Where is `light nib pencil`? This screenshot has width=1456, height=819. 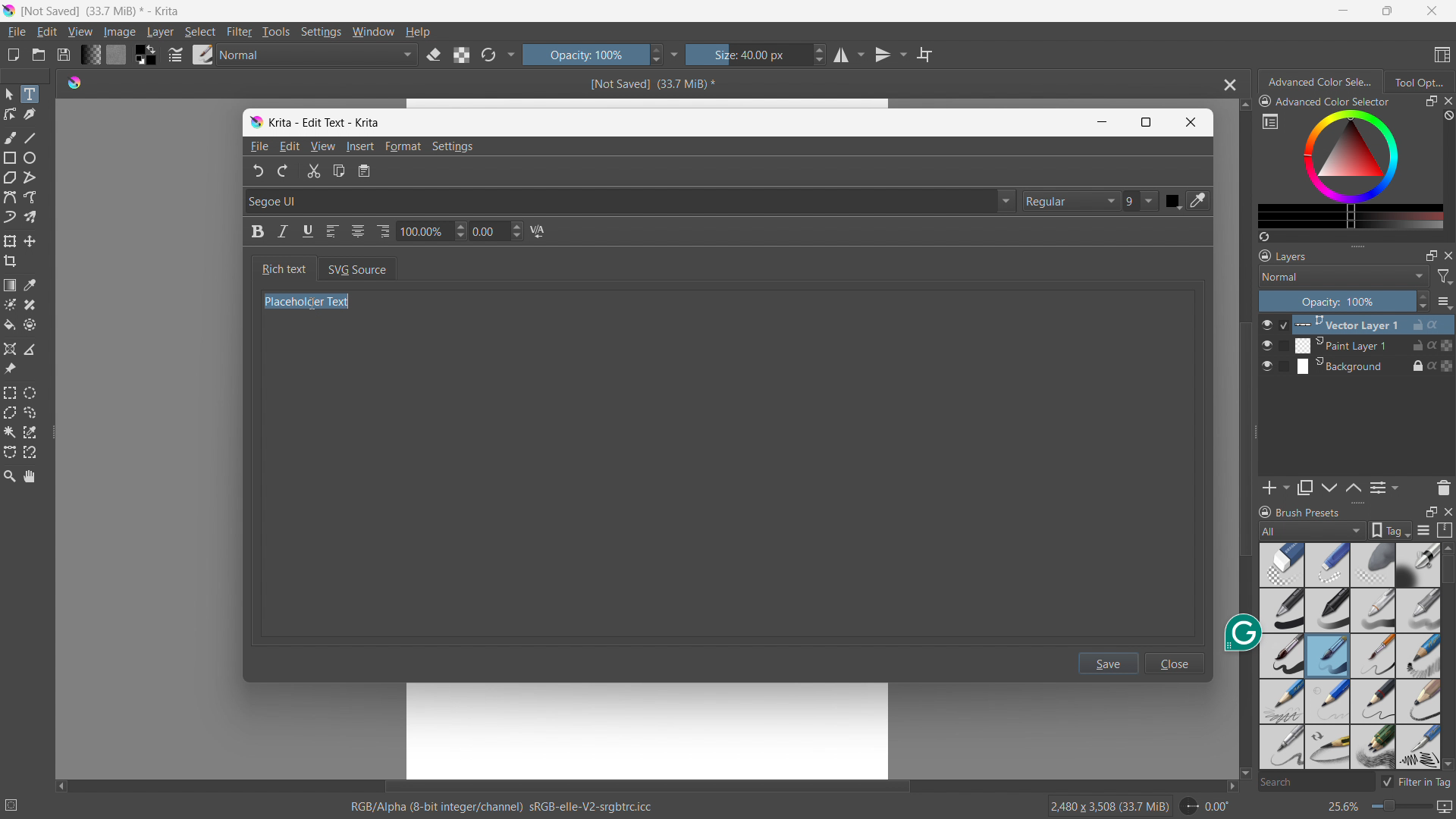 light nib pencil is located at coordinates (1328, 701).